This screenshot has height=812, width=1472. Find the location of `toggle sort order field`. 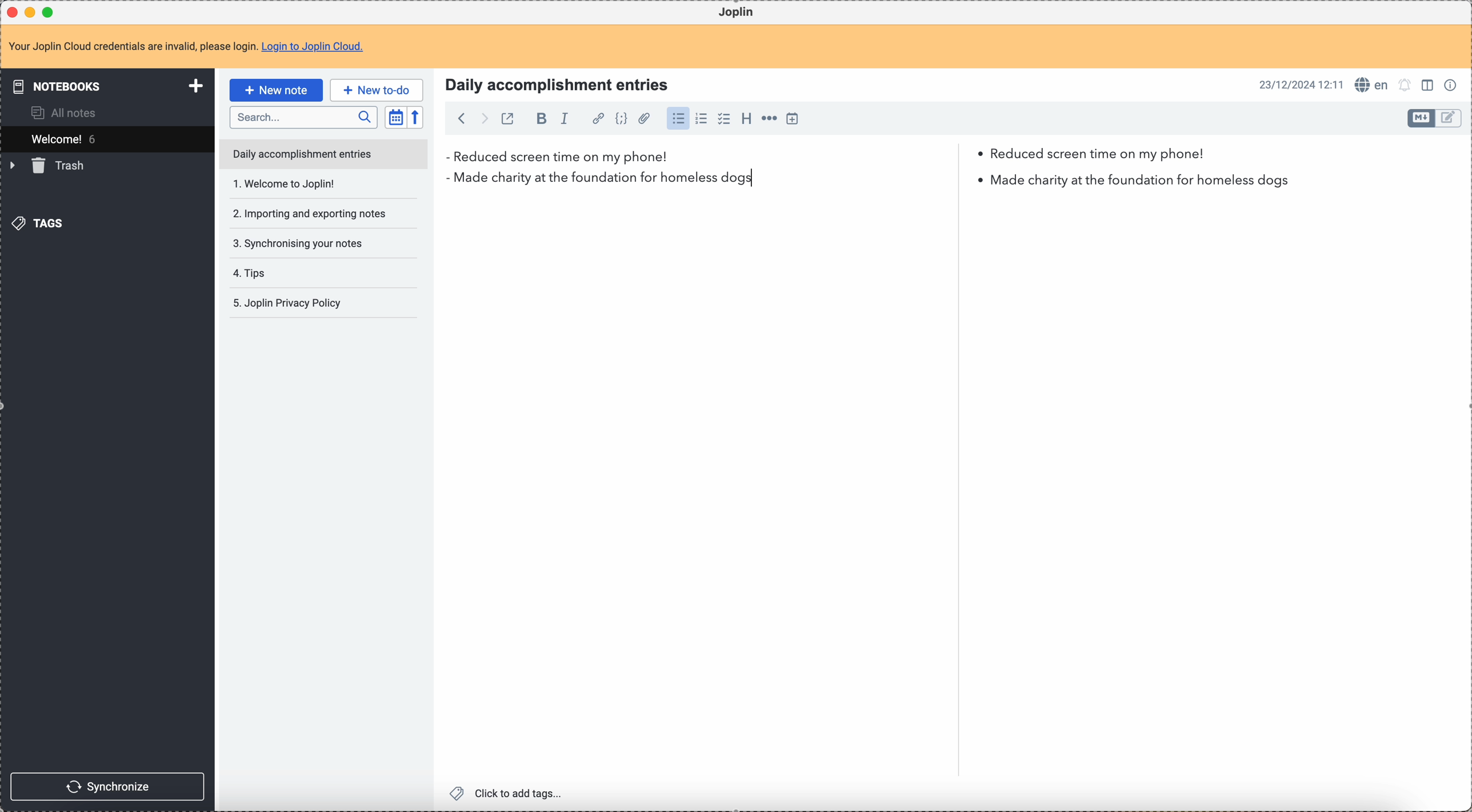

toggle sort order field is located at coordinates (395, 117).